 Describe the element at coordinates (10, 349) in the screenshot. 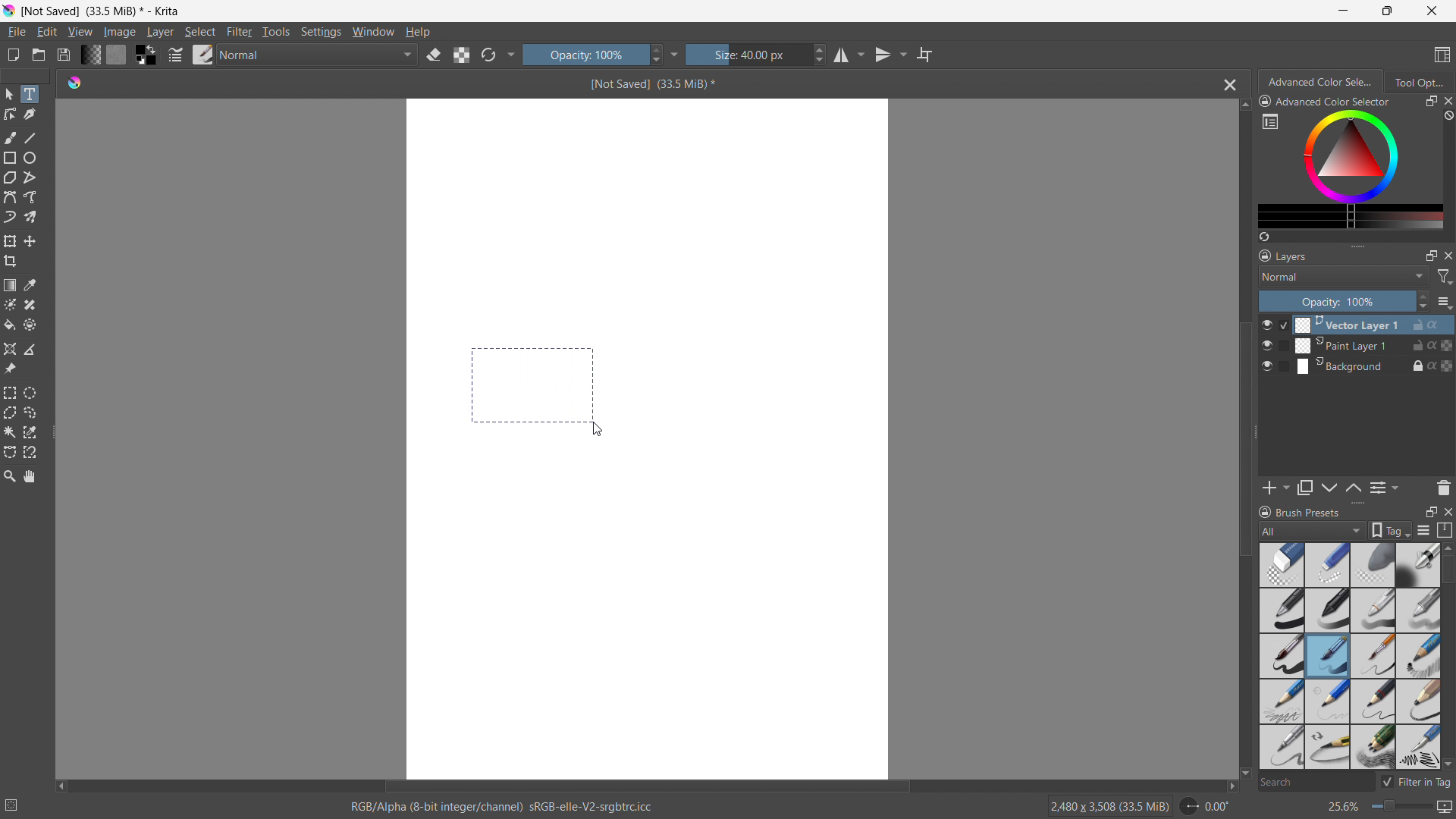

I see `assistant tool` at that location.